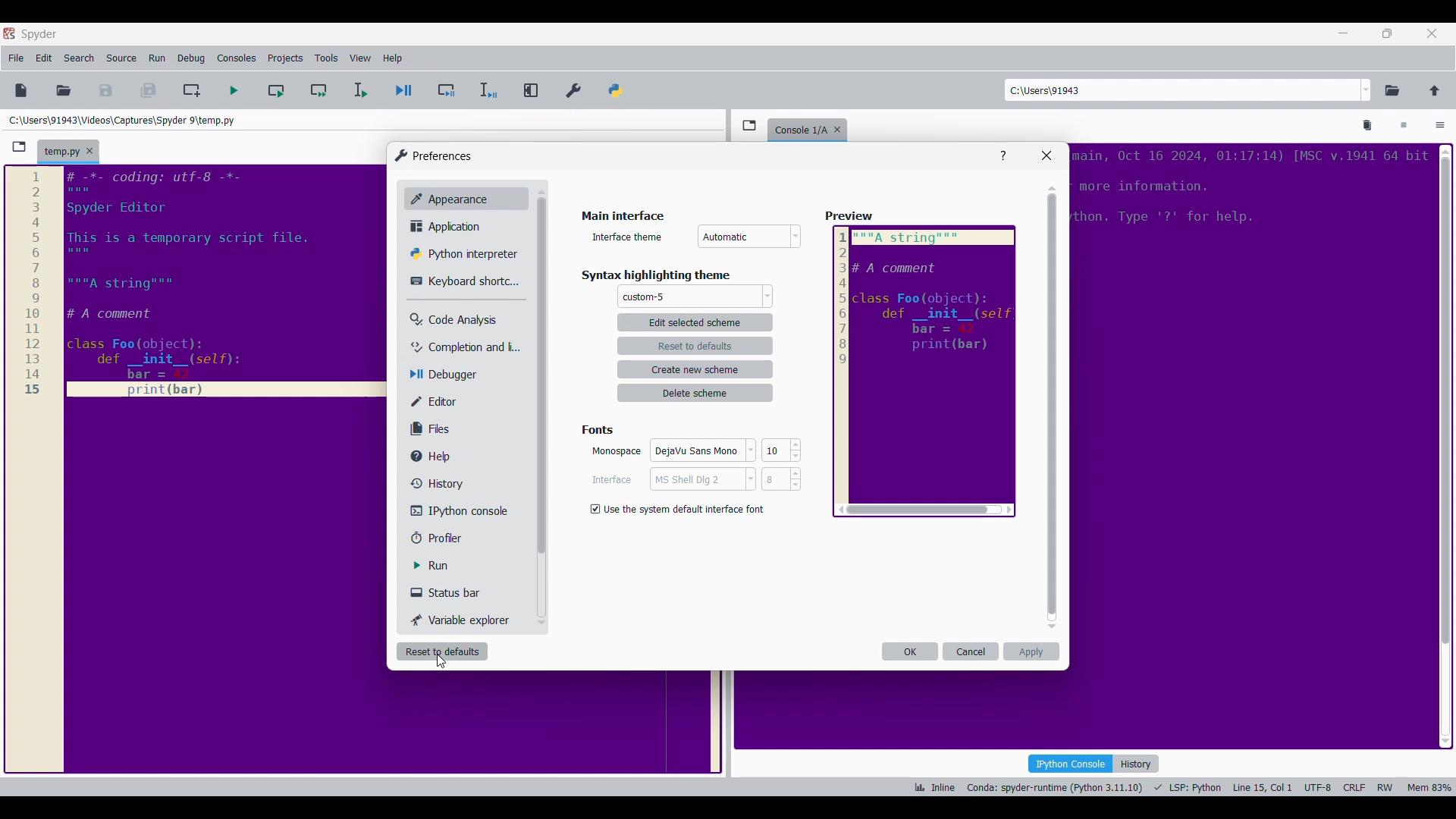 The width and height of the screenshot is (1456, 819). Describe the element at coordinates (466, 537) in the screenshot. I see `Profiler` at that location.